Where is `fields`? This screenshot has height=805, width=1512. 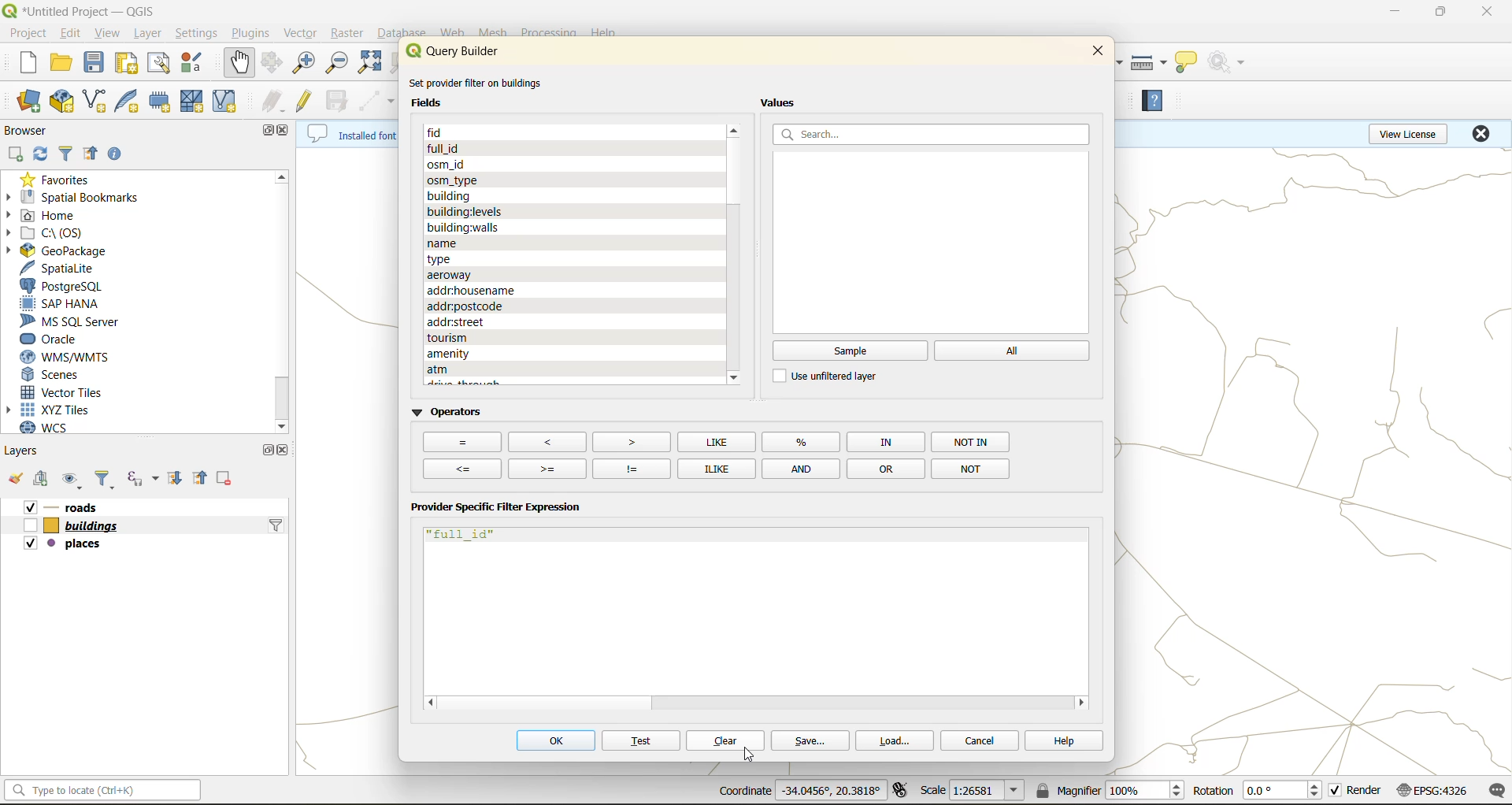 fields is located at coordinates (478, 306).